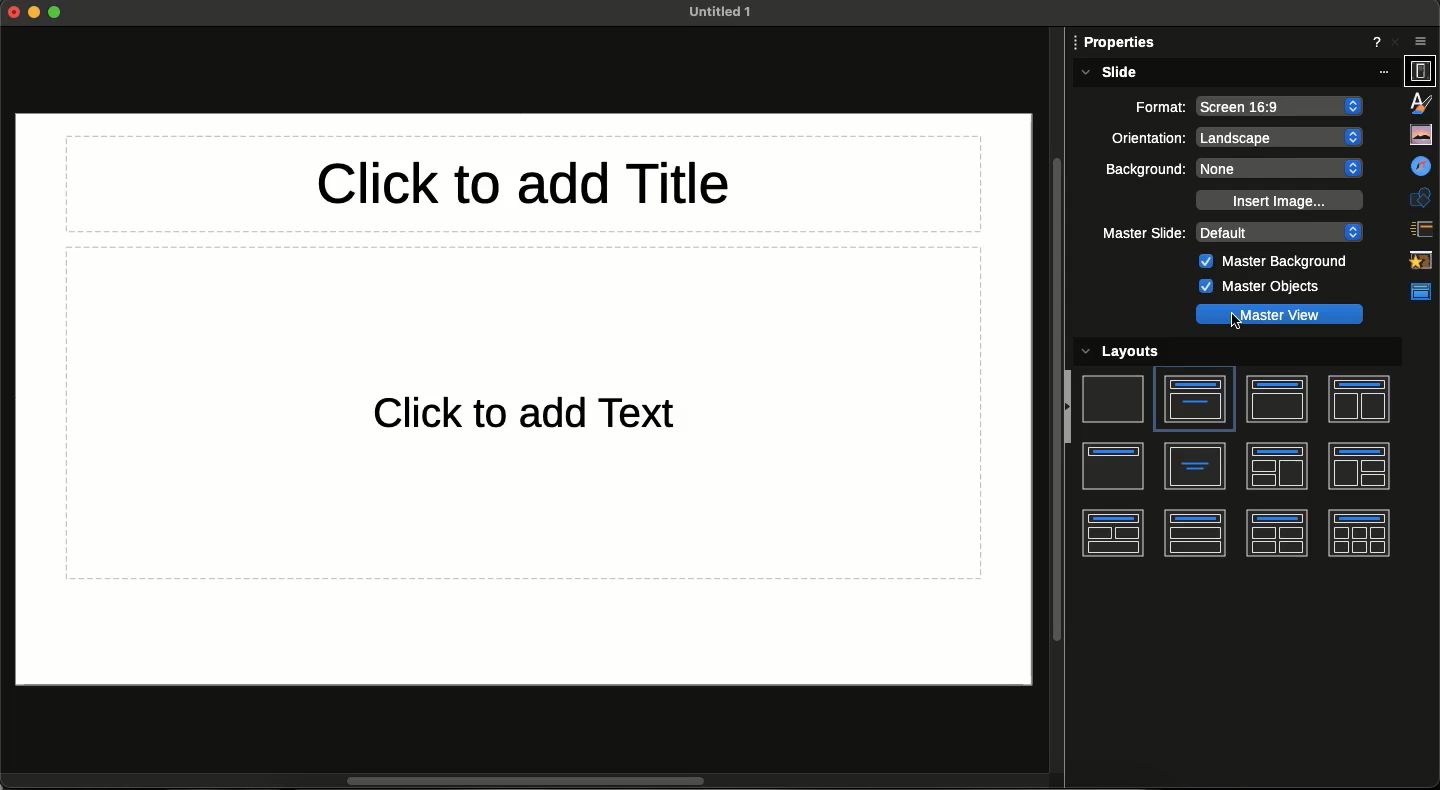  Describe the element at coordinates (1359, 533) in the screenshot. I see `Title and six boxes` at that location.